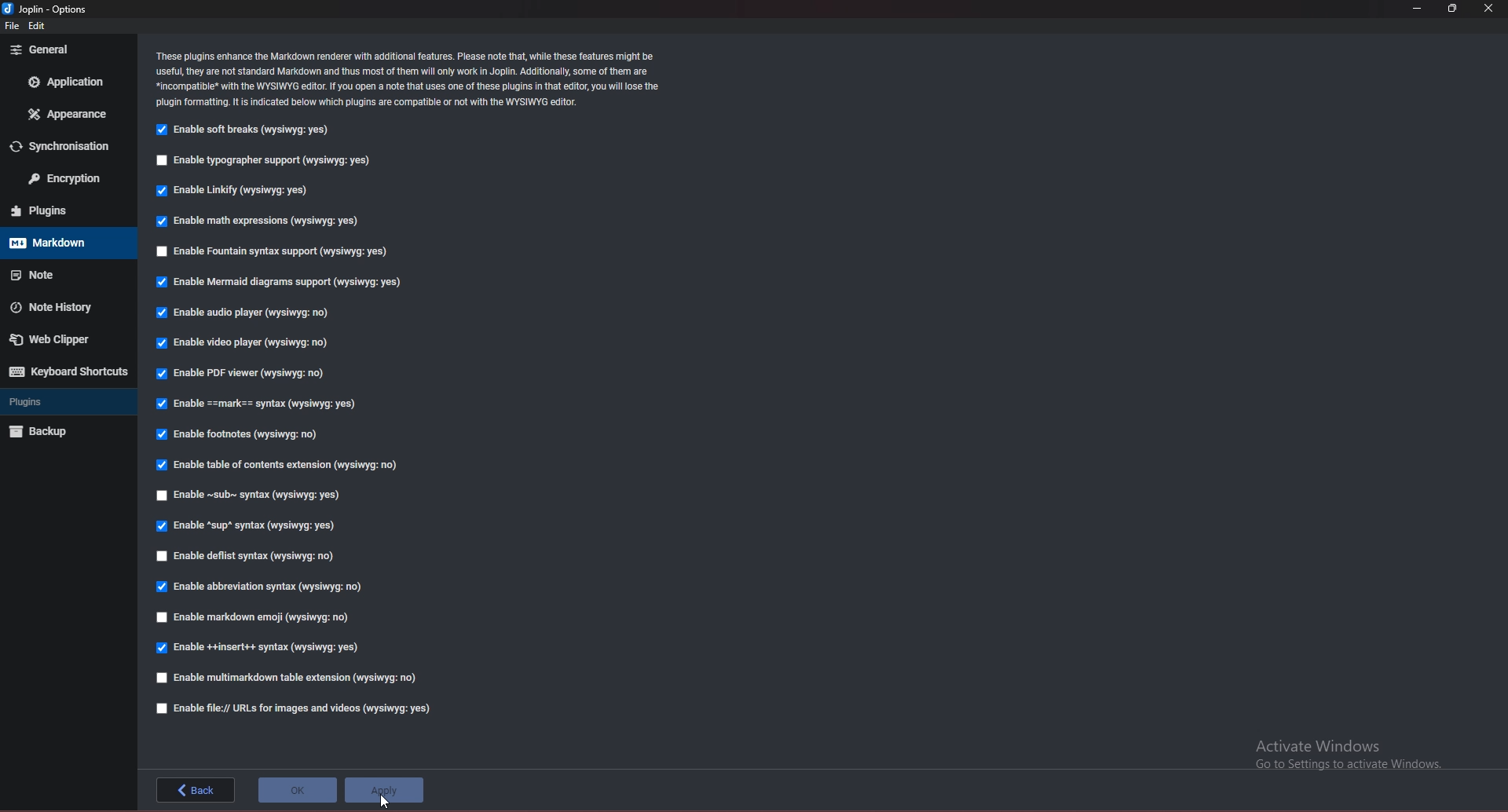 The height and width of the screenshot is (812, 1508). What do you see at coordinates (41, 26) in the screenshot?
I see `edit` at bounding box center [41, 26].